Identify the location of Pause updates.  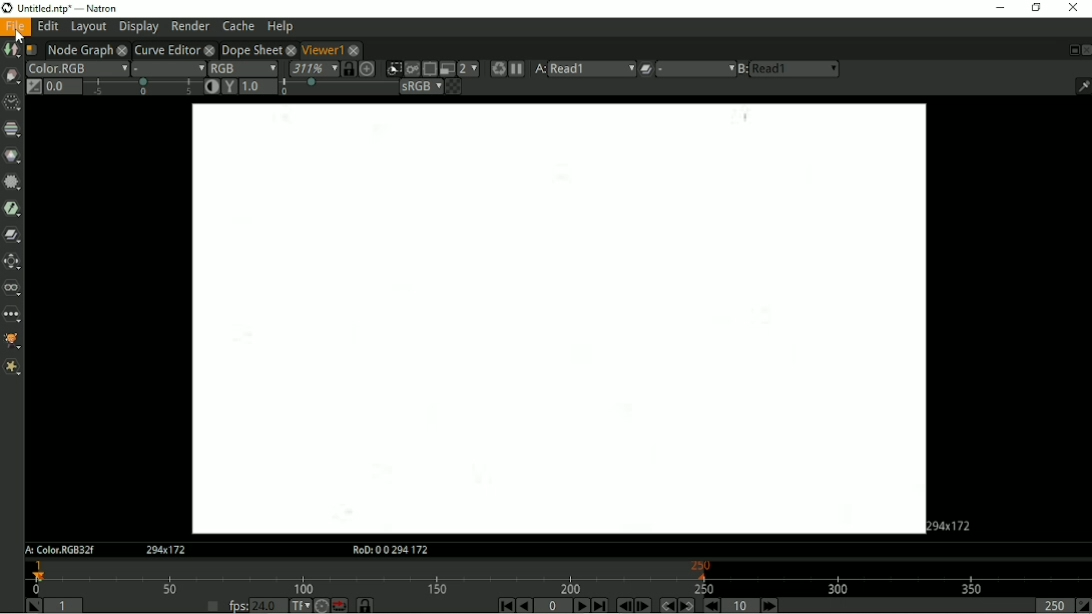
(515, 69).